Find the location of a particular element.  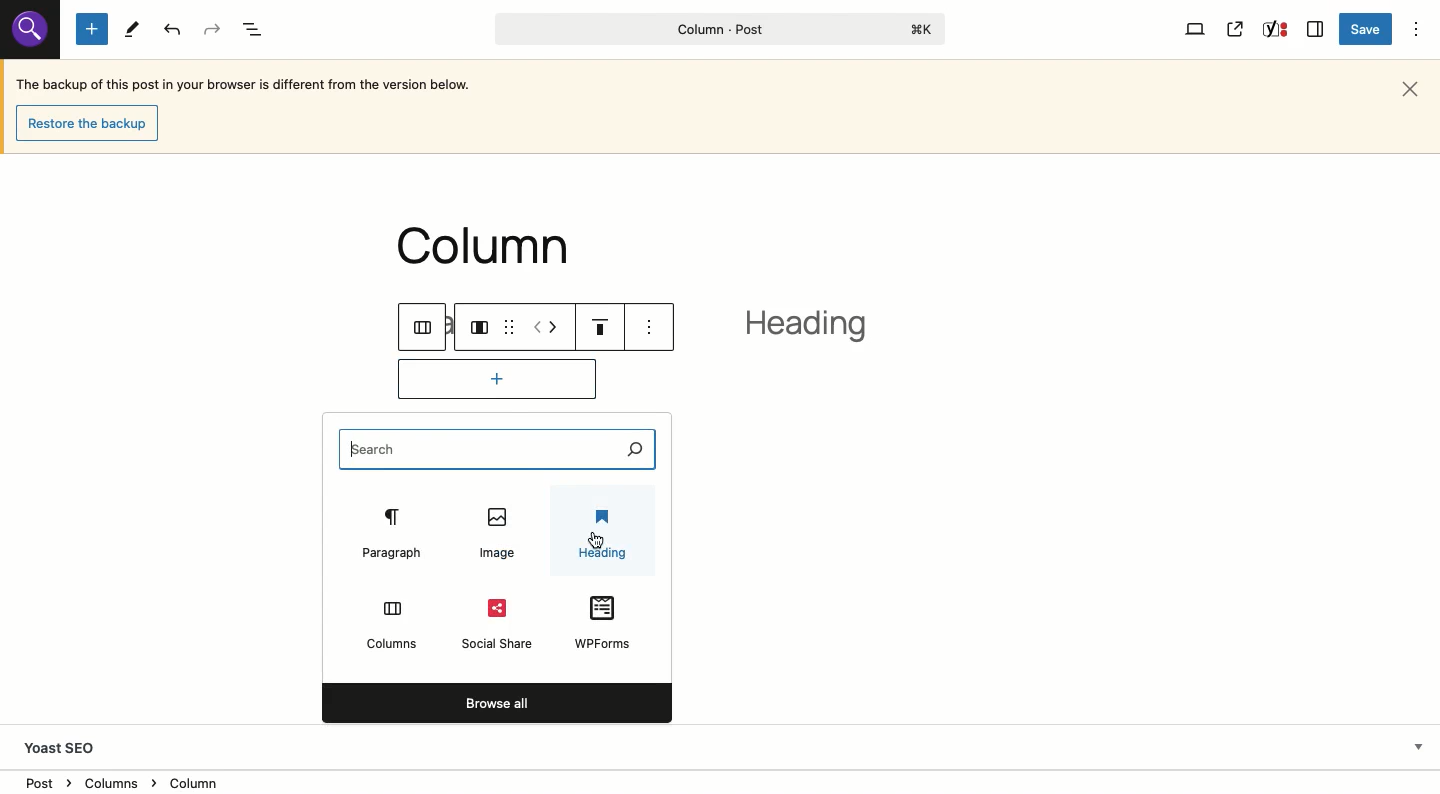

Tools is located at coordinates (132, 30).